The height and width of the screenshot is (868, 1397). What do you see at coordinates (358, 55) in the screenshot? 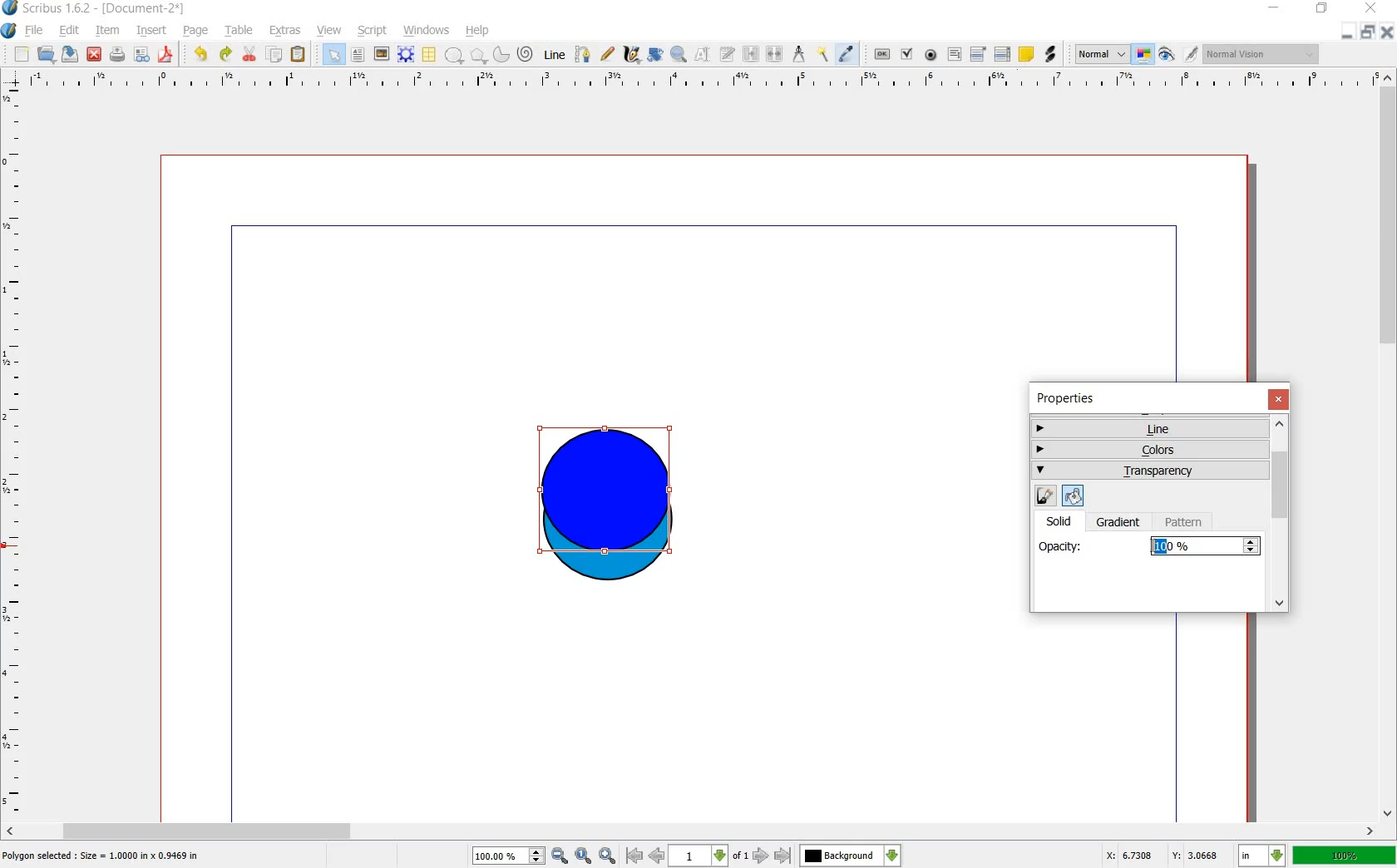
I see `text frame` at bounding box center [358, 55].